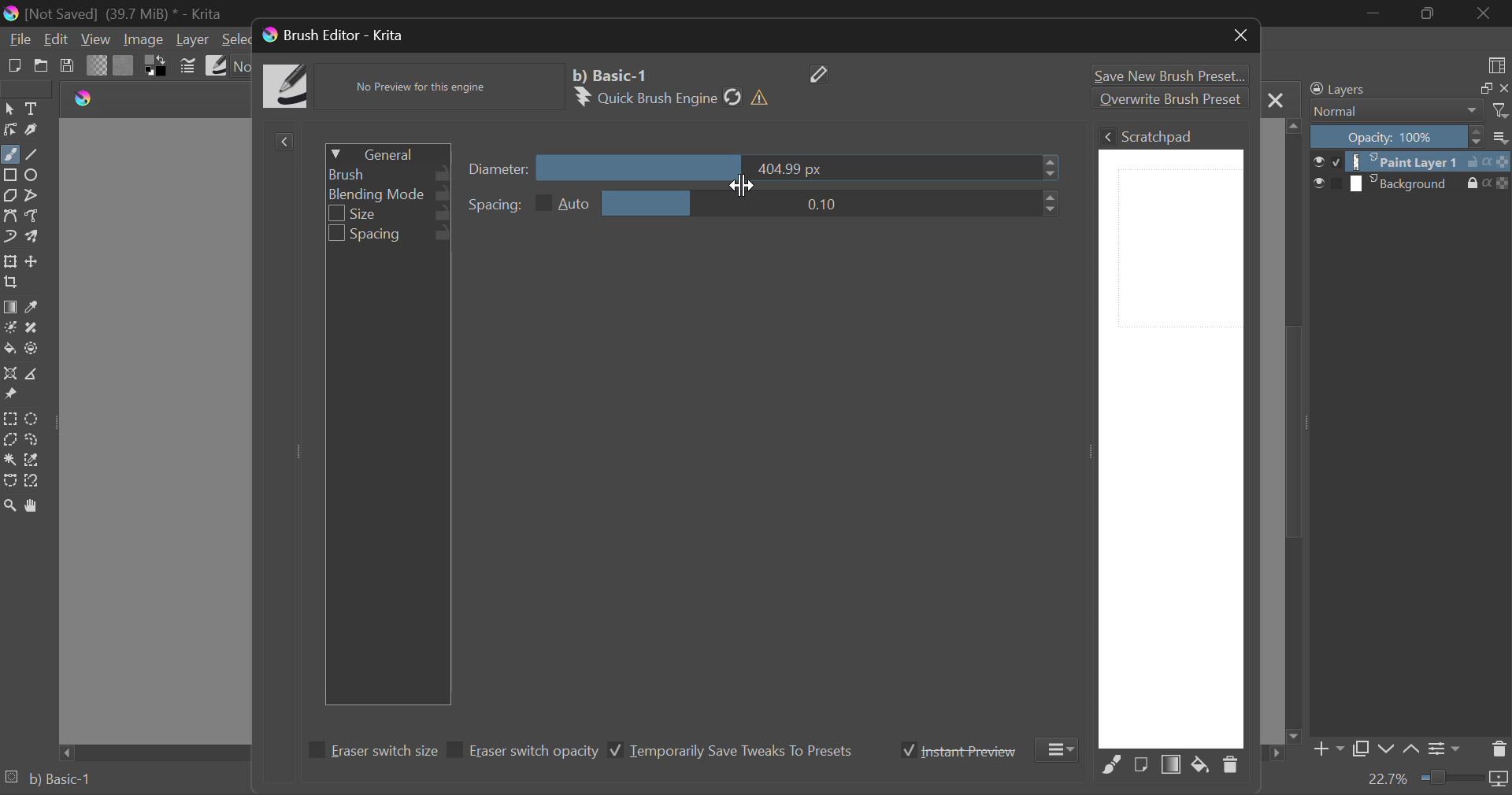  What do you see at coordinates (57, 39) in the screenshot?
I see `Edit` at bounding box center [57, 39].